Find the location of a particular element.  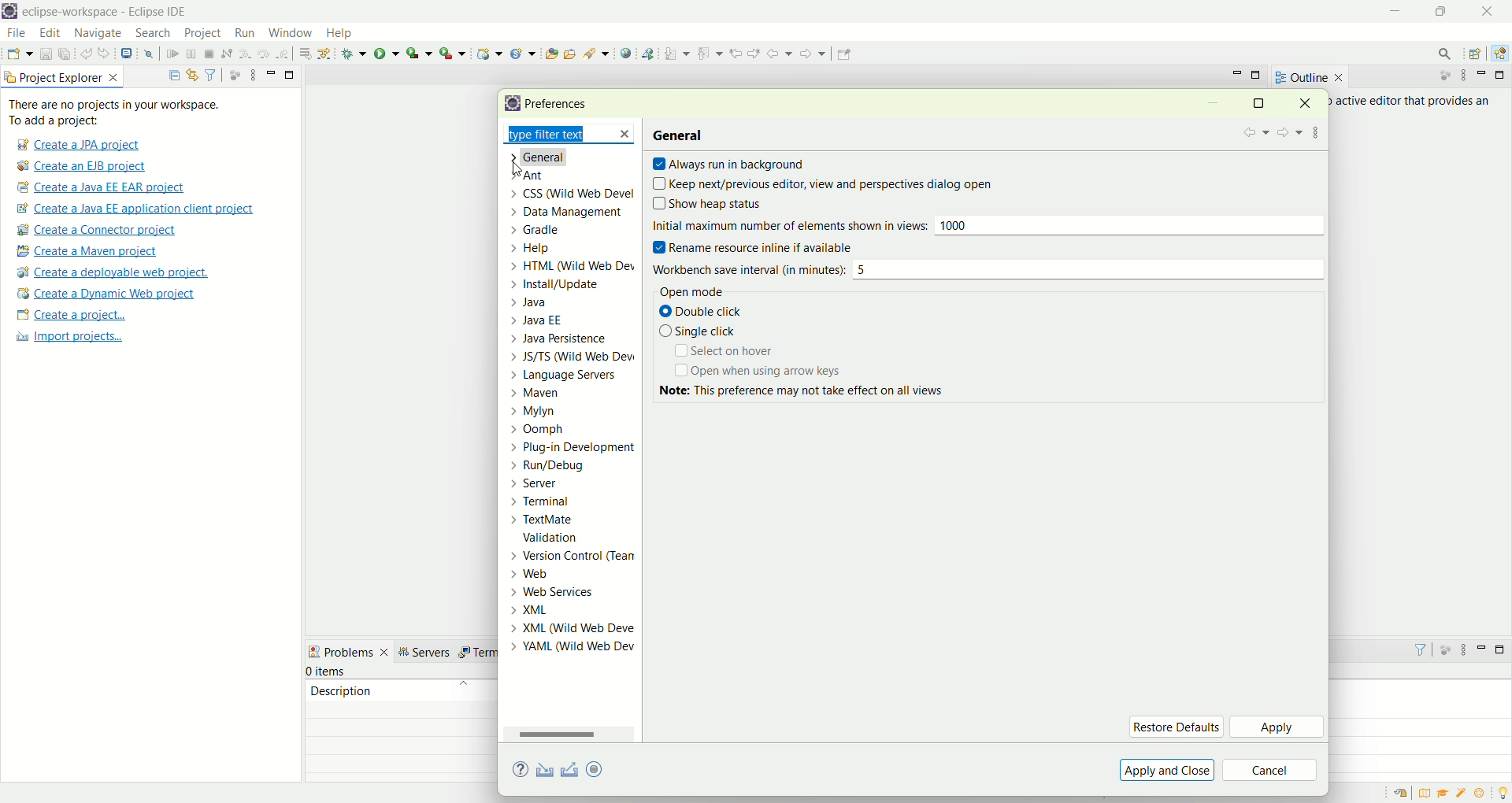

file is located at coordinates (15, 34).